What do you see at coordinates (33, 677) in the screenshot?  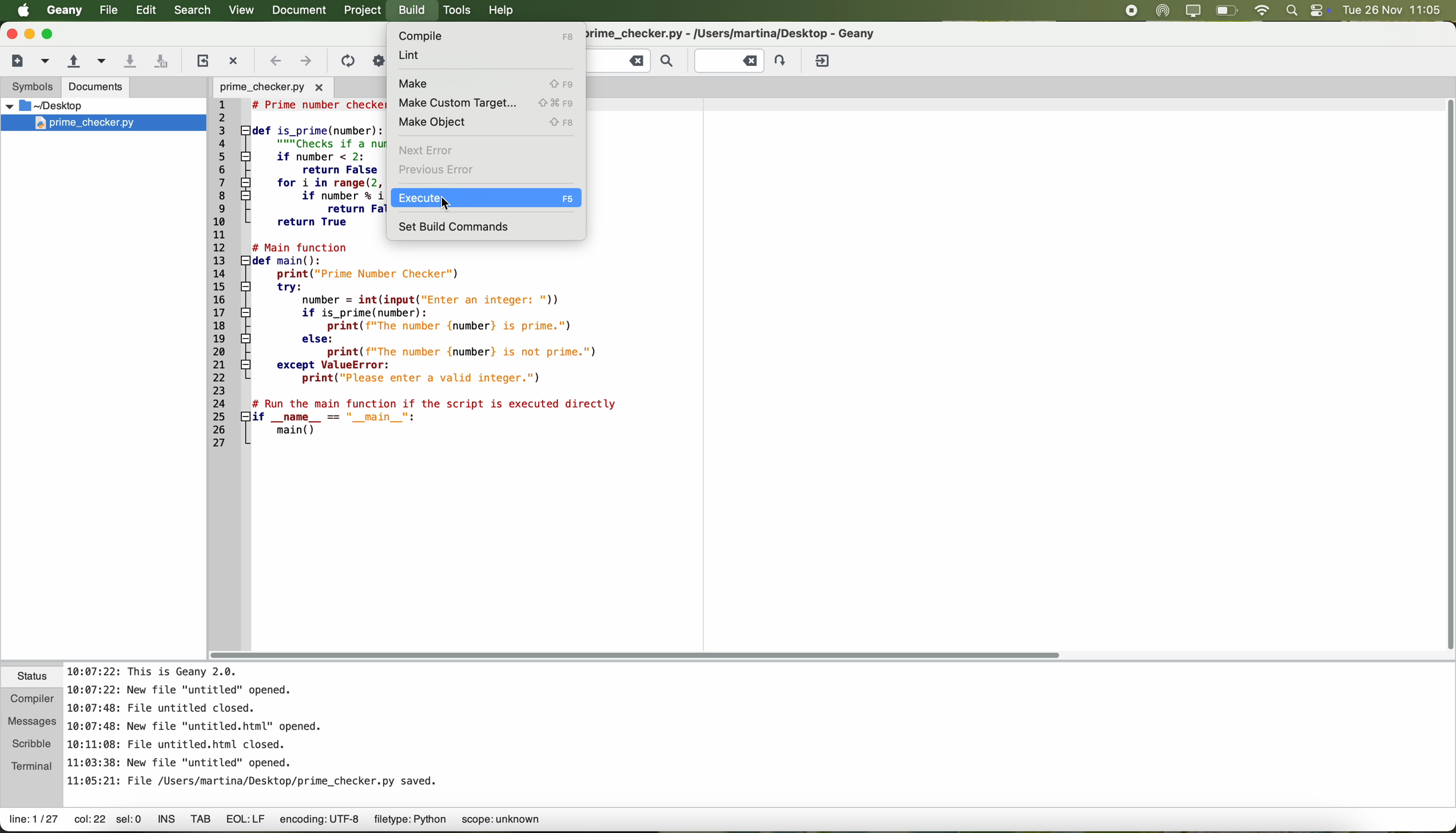 I see `status` at bounding box center [33, 677].